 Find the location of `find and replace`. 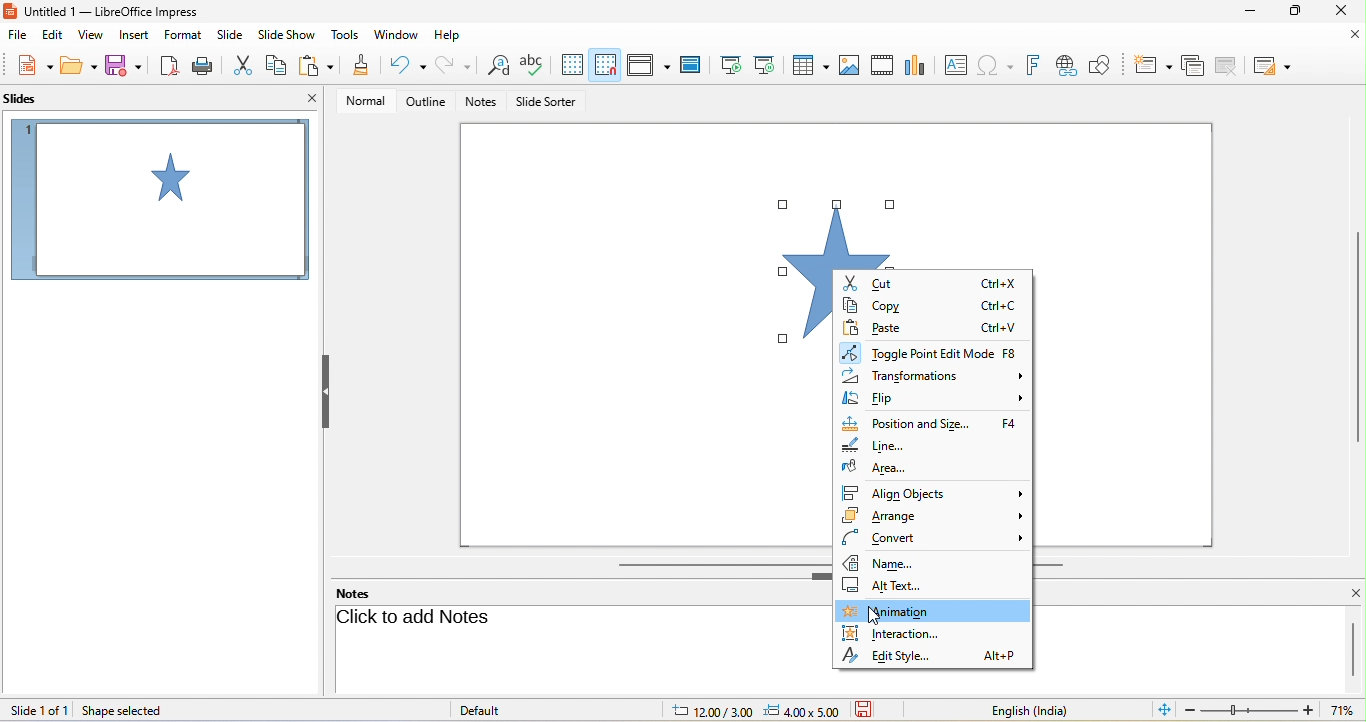

find and replace is located at coordinates (497, 65).